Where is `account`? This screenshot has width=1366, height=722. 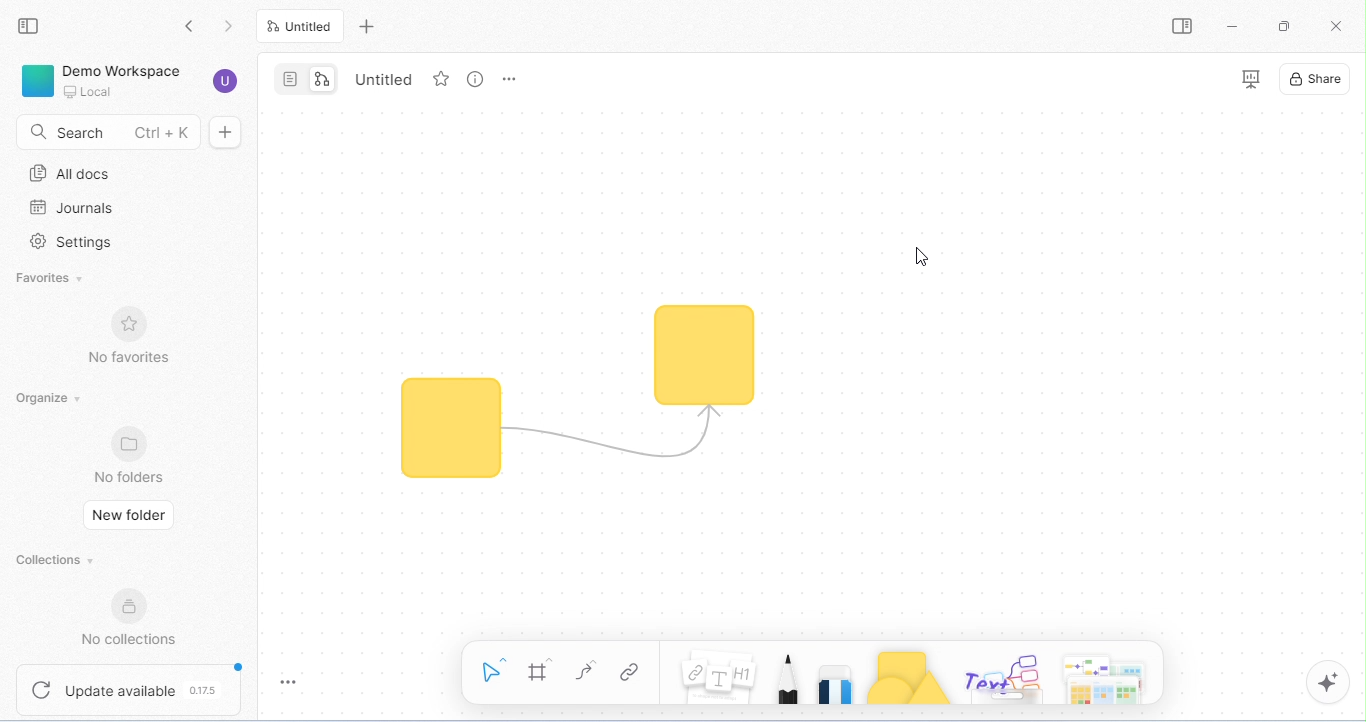
account is located at coordinates (226, 83).